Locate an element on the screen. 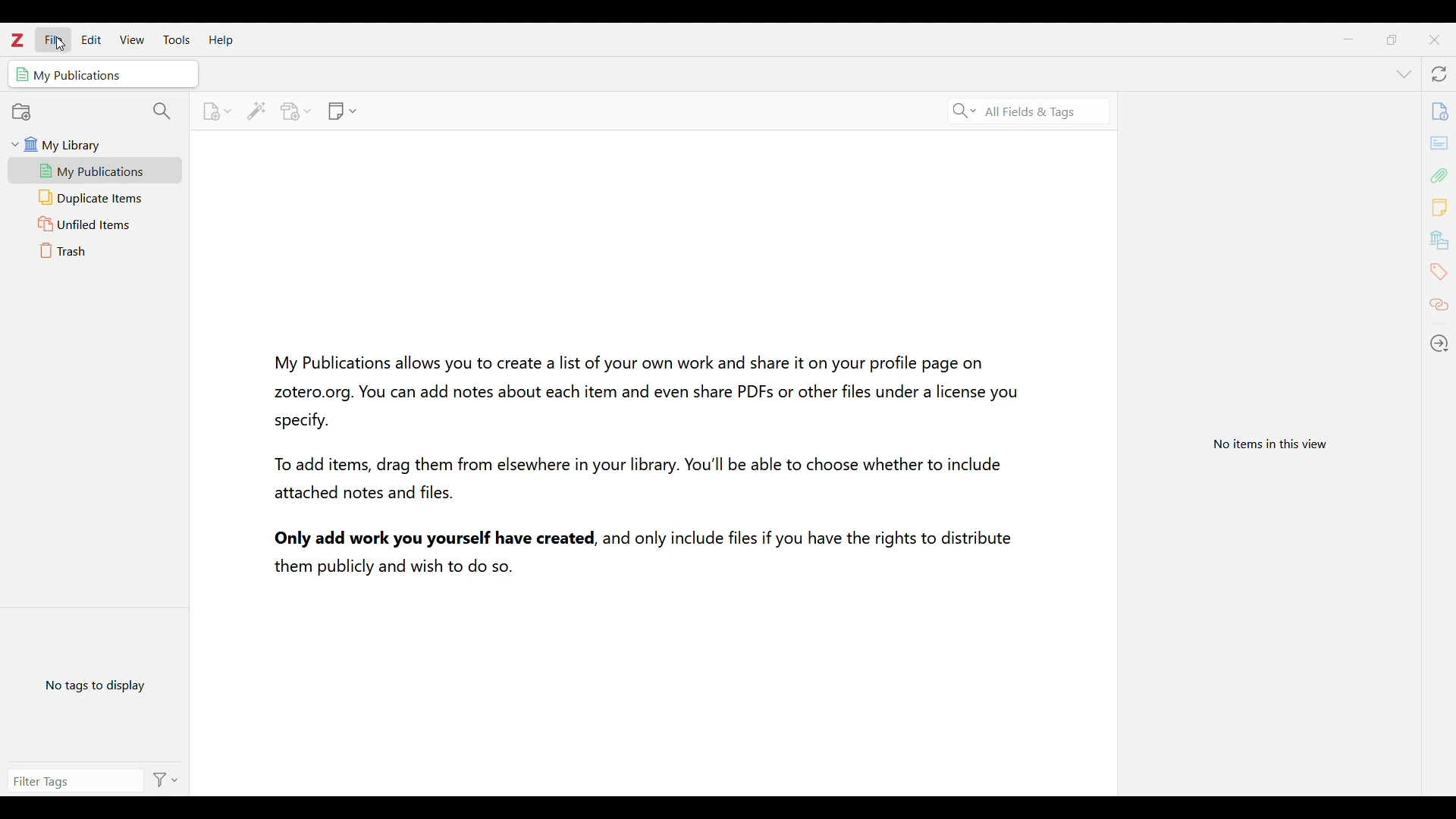  Trash is located at coordinates (96, 250).